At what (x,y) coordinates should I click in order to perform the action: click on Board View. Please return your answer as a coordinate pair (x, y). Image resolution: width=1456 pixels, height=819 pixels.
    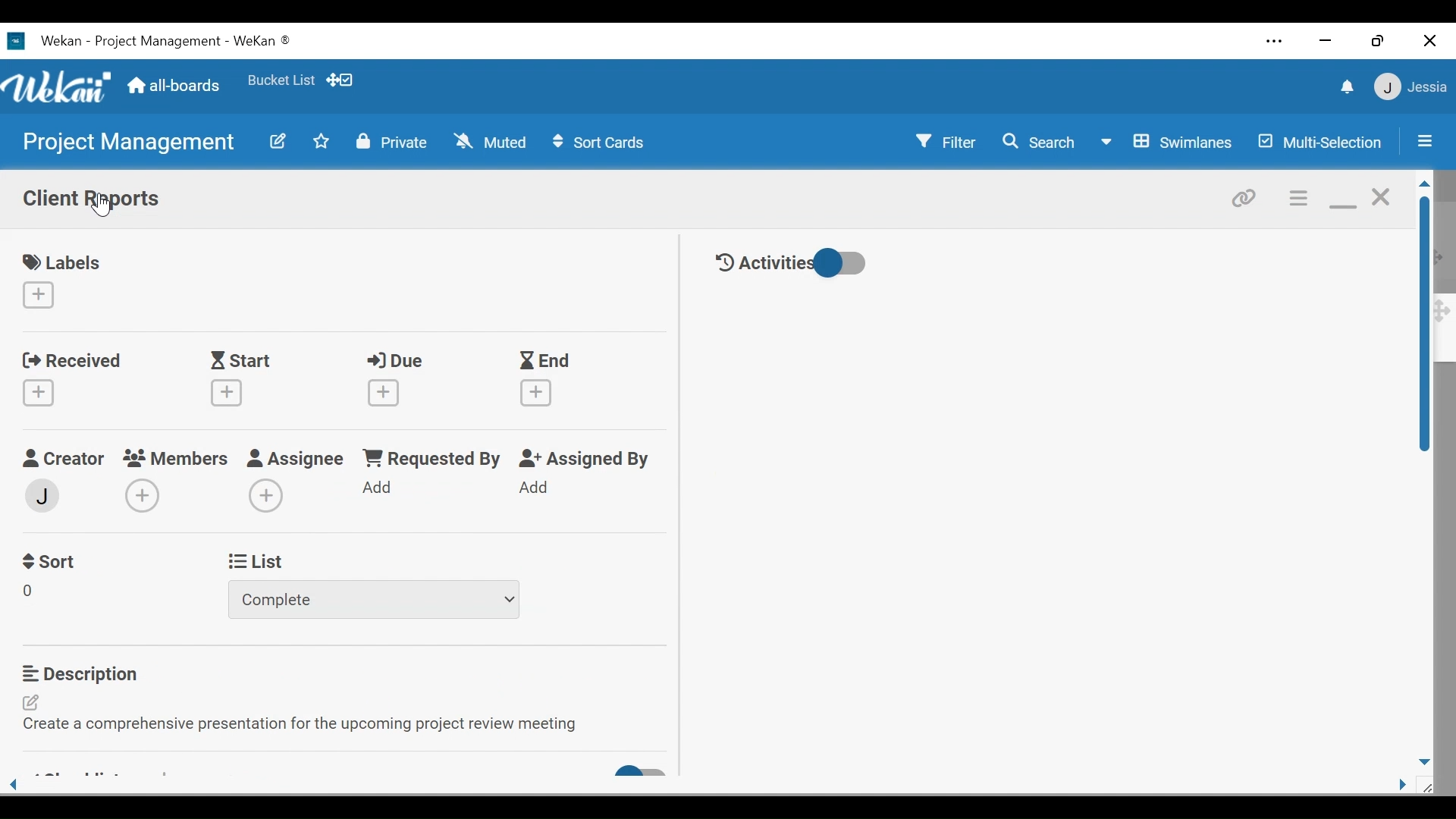
    Looking at the image, I should click on (1164, 143).